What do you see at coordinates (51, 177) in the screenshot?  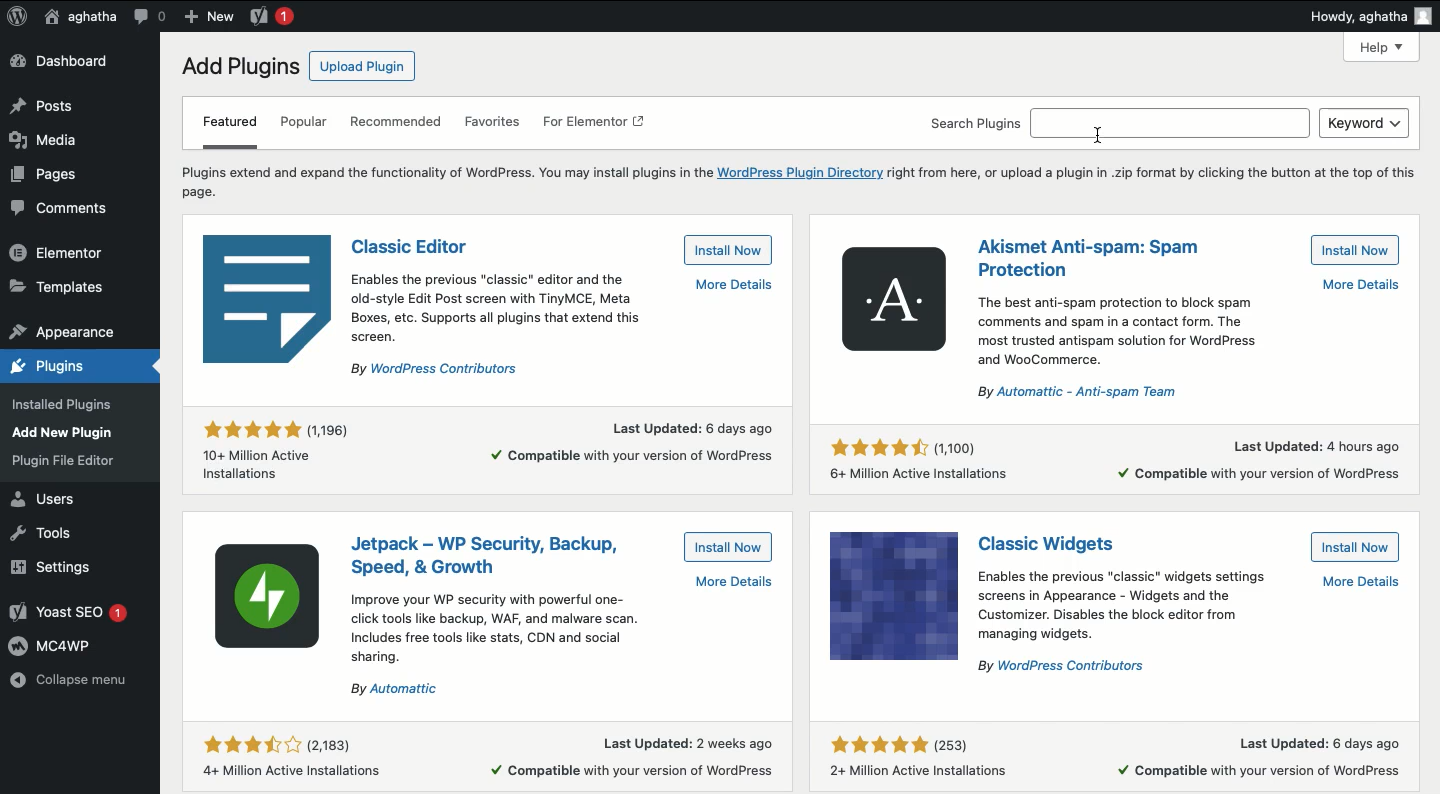 I see `Pages` at bounding box center [51, 177].